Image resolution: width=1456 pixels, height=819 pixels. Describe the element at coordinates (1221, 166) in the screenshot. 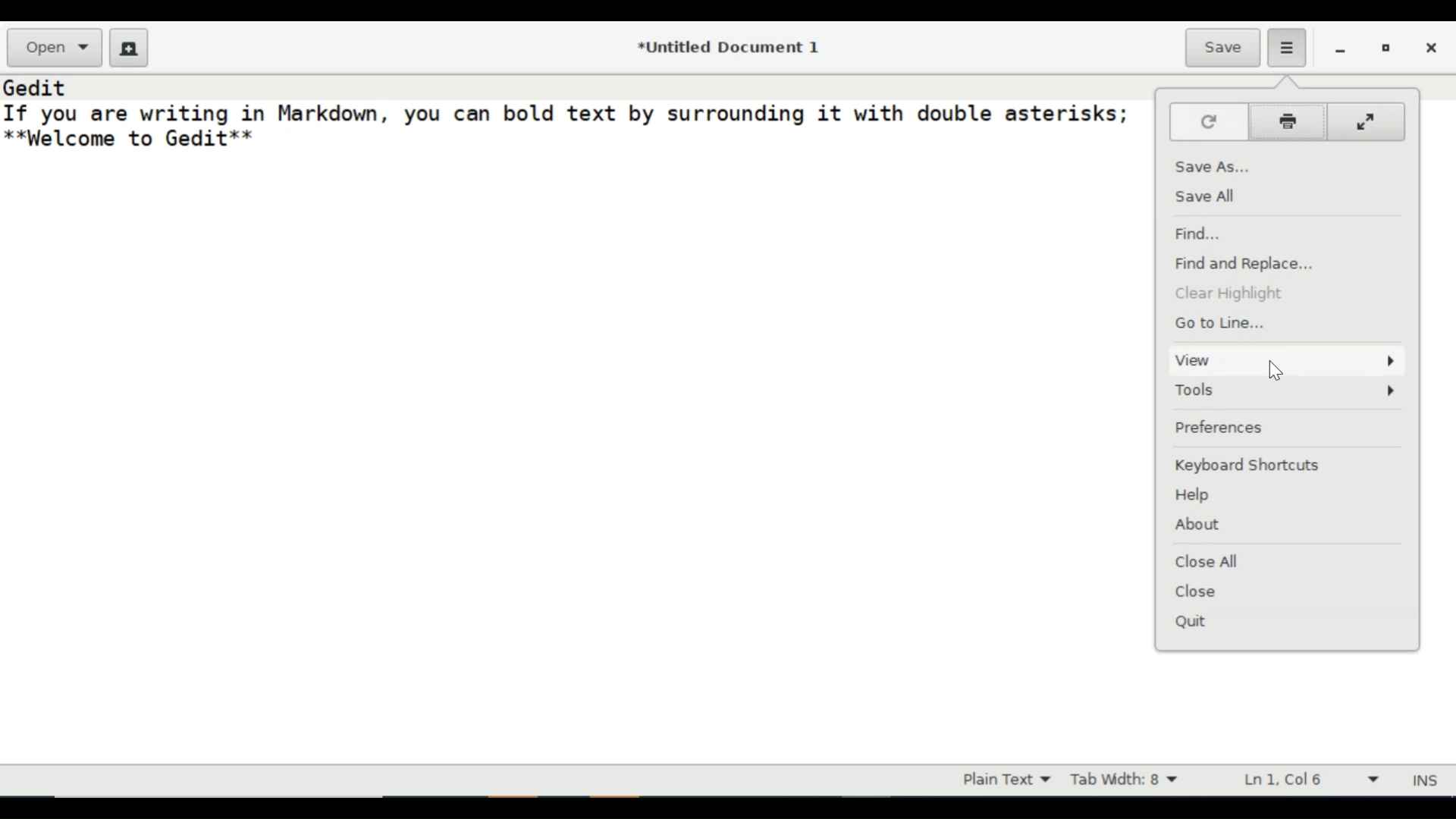

I see `Save As` at that location.